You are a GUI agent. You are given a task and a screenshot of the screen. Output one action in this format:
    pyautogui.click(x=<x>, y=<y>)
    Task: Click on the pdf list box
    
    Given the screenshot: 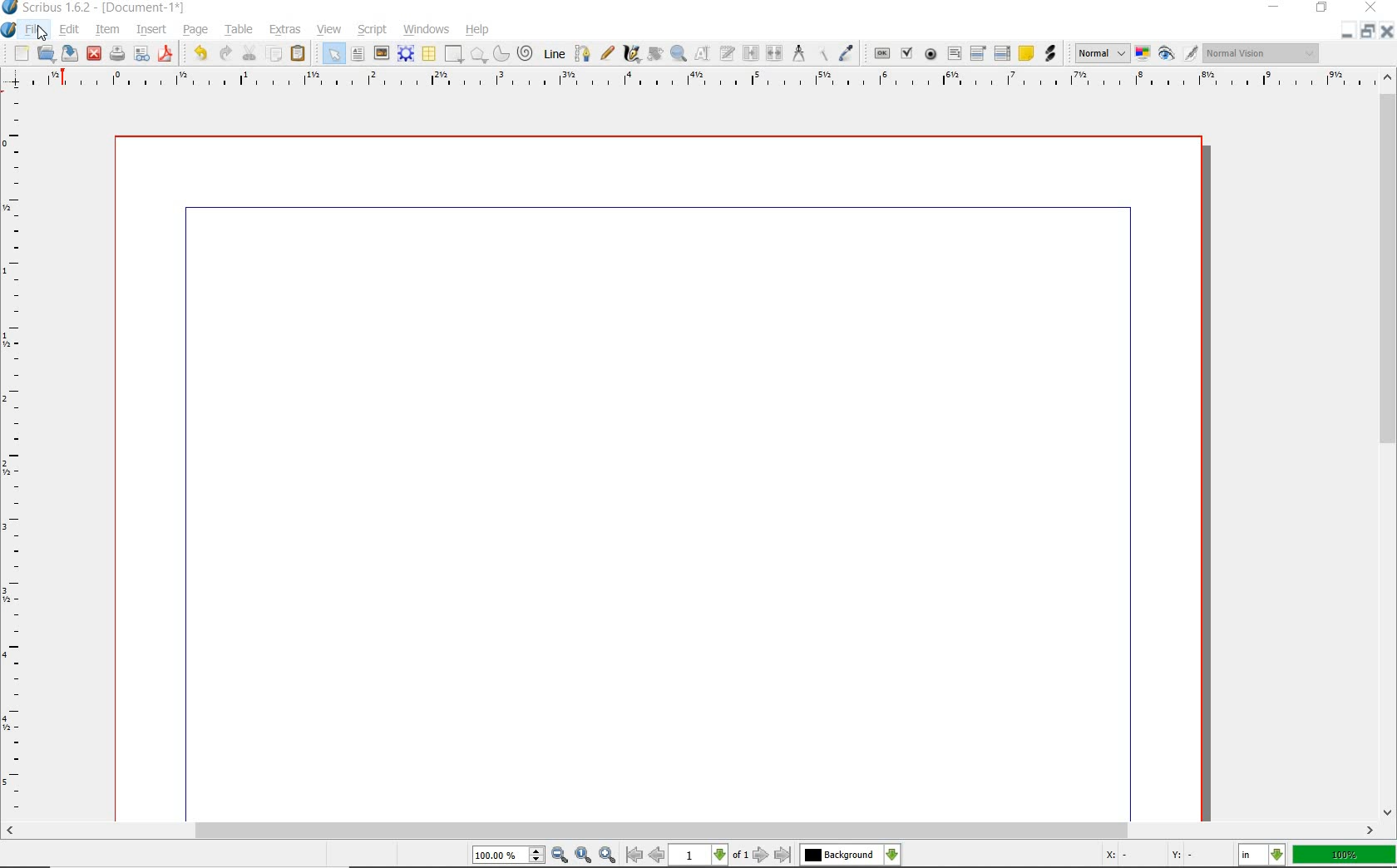 What is the action you would take?
    pyautogui.click(x=1001, y=53)
    